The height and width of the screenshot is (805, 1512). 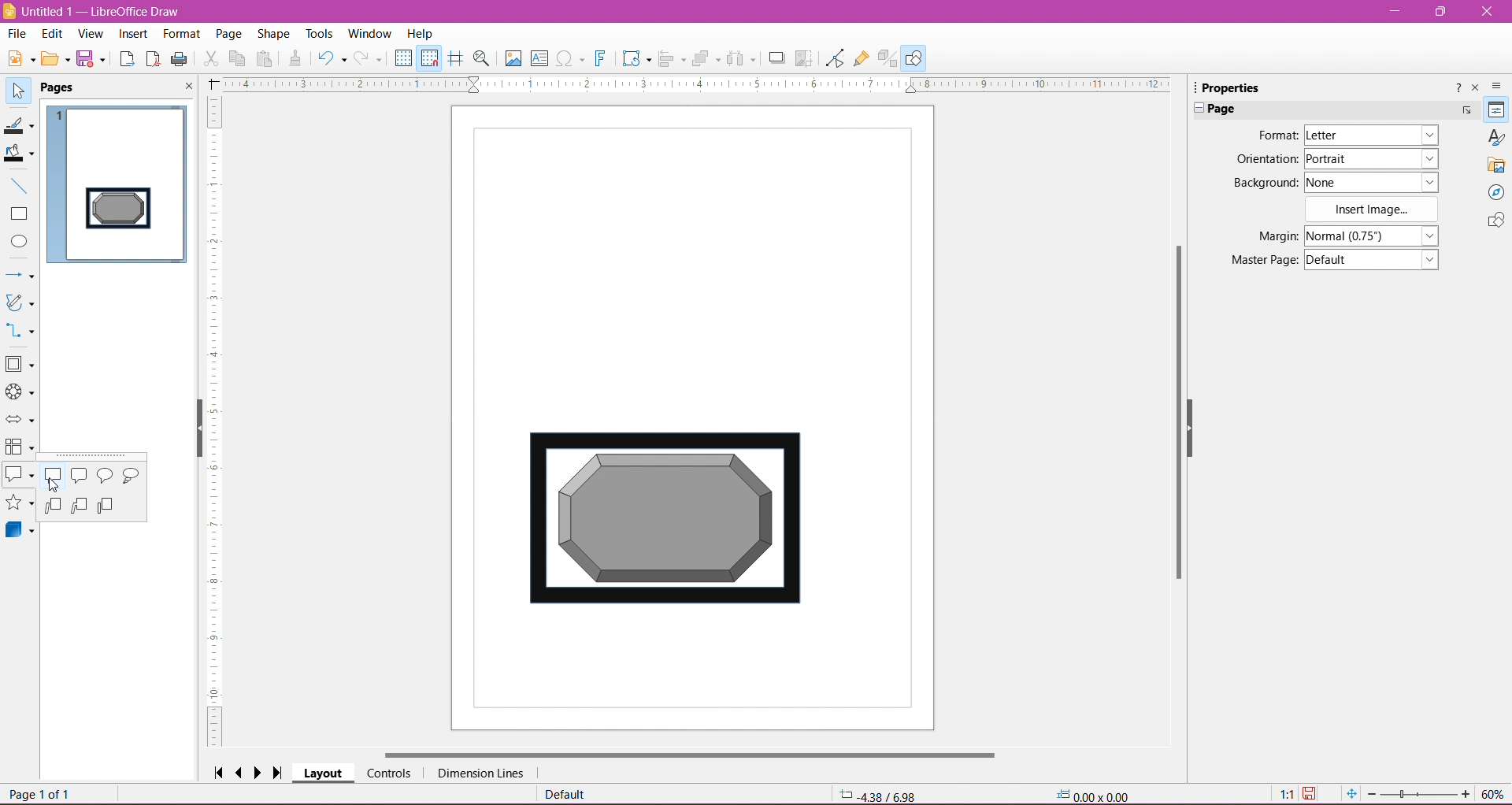 I want to click on Zoom Out, so click(x=1371, y=793).